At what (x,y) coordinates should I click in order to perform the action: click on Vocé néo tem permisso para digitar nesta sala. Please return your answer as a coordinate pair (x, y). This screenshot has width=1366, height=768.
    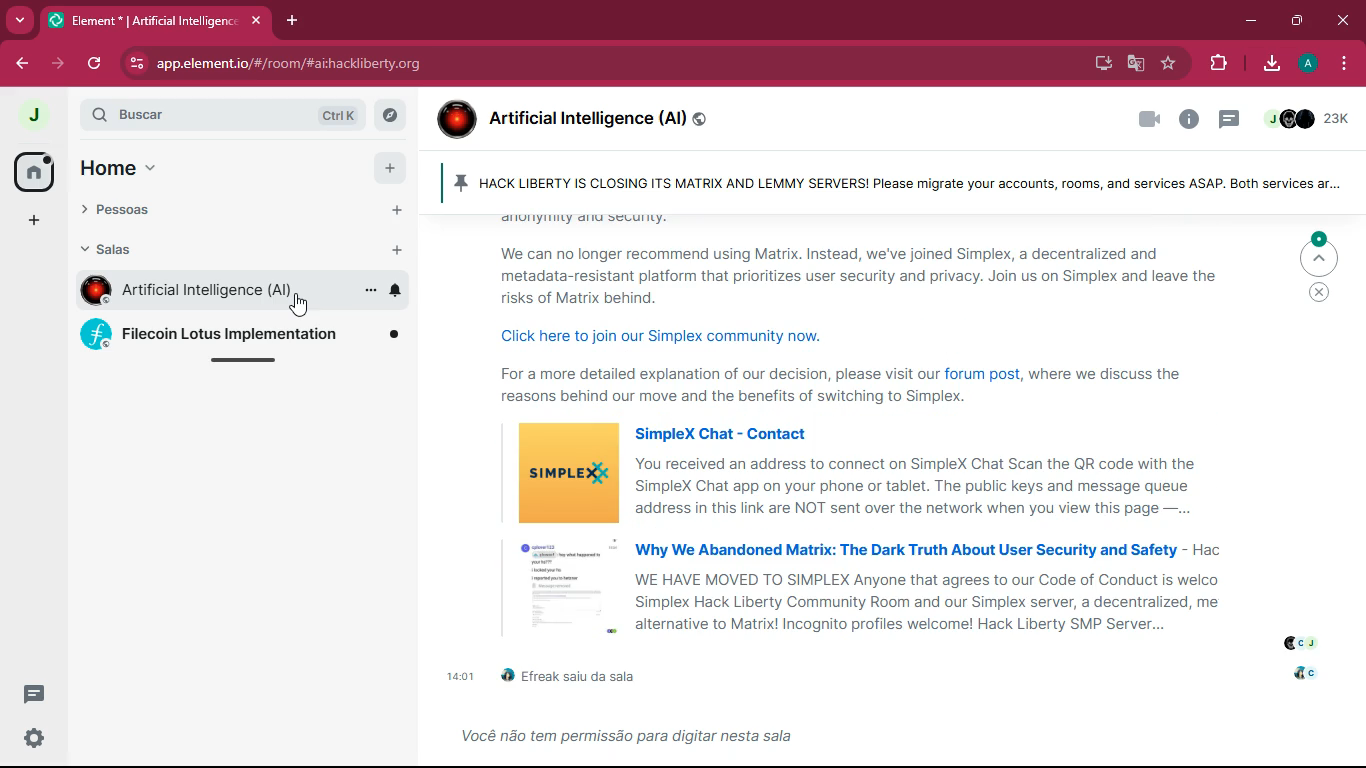
    Looking at the image, I should click on (635, 738).